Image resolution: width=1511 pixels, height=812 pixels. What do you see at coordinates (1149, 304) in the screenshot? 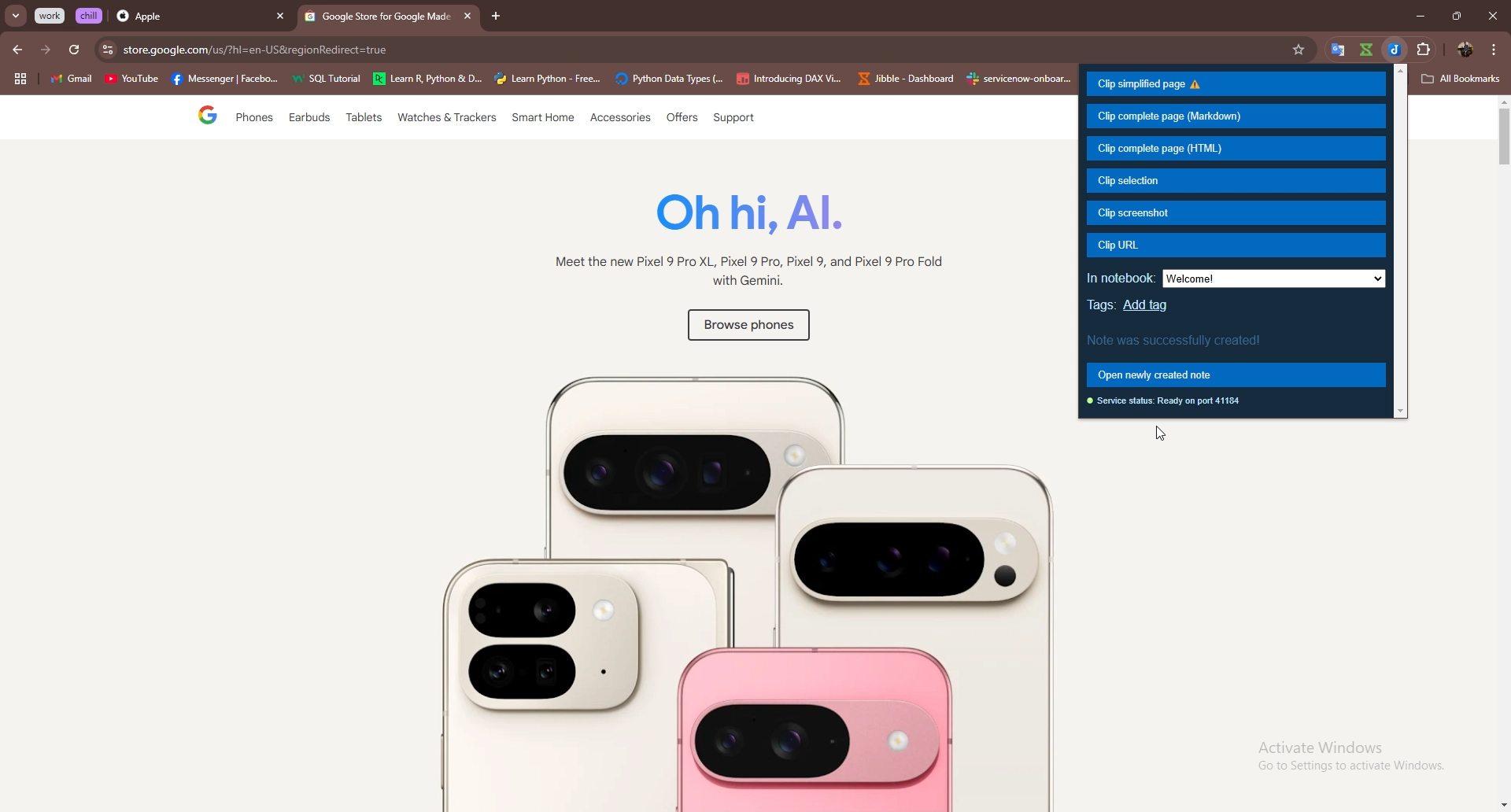
I see `add tag` at bounding box center [1149, 304].